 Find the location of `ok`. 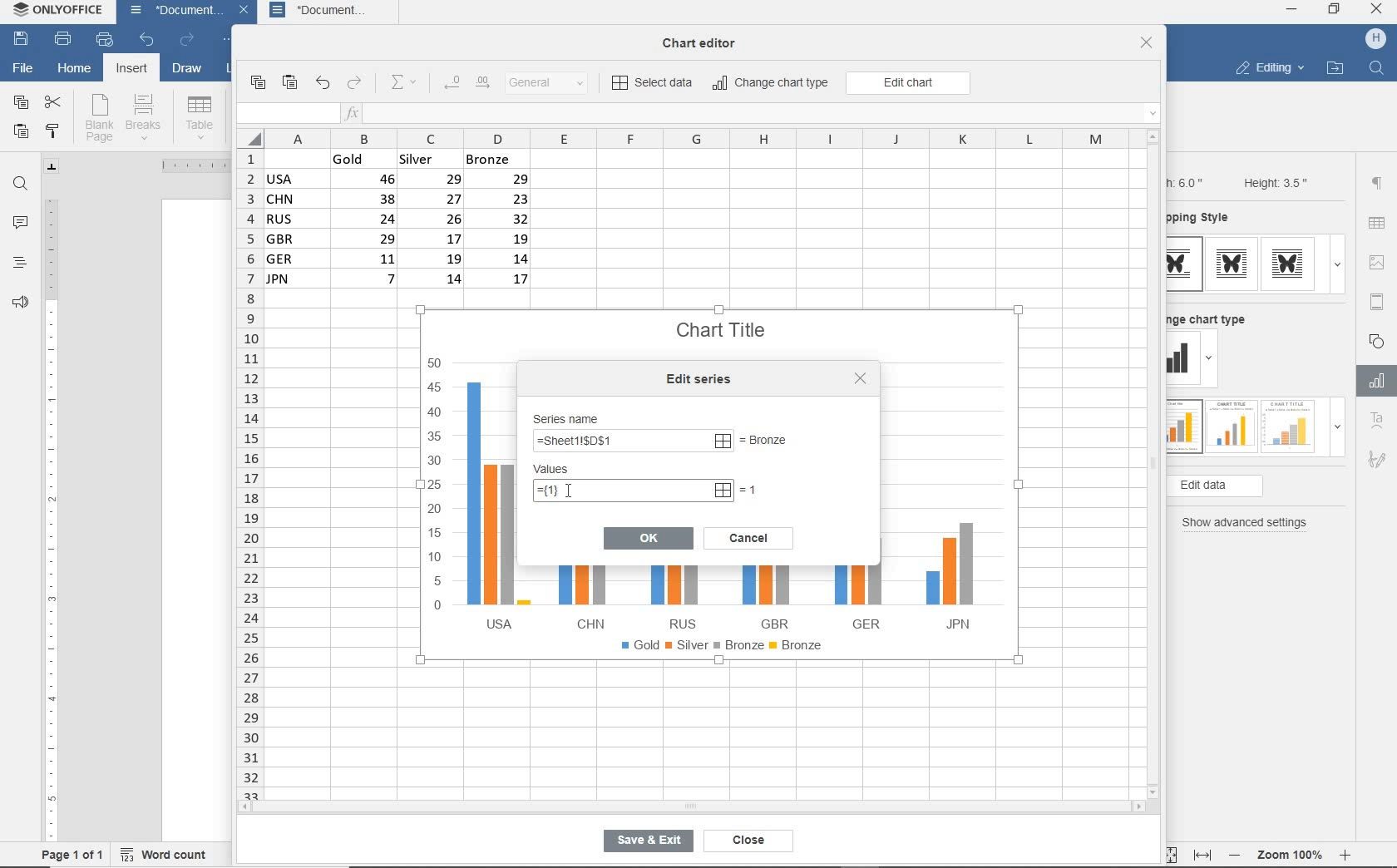

ok is located at coordinates (649, 537).